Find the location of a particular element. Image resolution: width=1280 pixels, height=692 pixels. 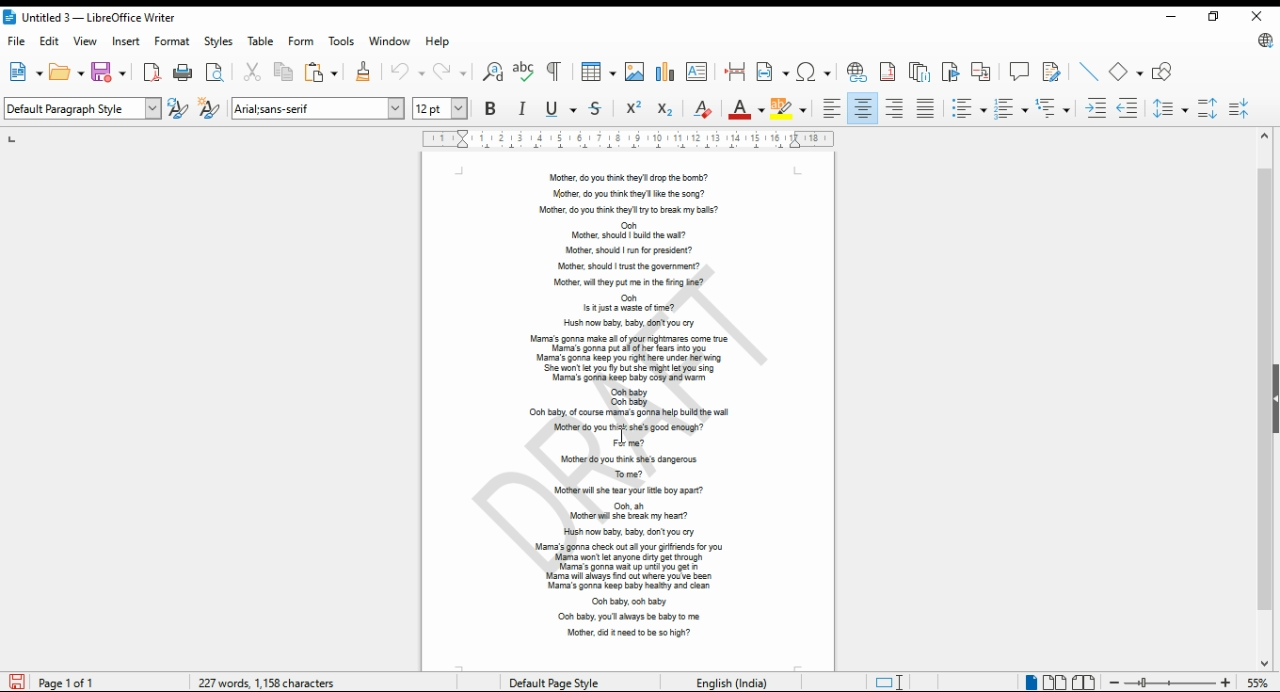

increase indent is located at coordinates (1095, 108).